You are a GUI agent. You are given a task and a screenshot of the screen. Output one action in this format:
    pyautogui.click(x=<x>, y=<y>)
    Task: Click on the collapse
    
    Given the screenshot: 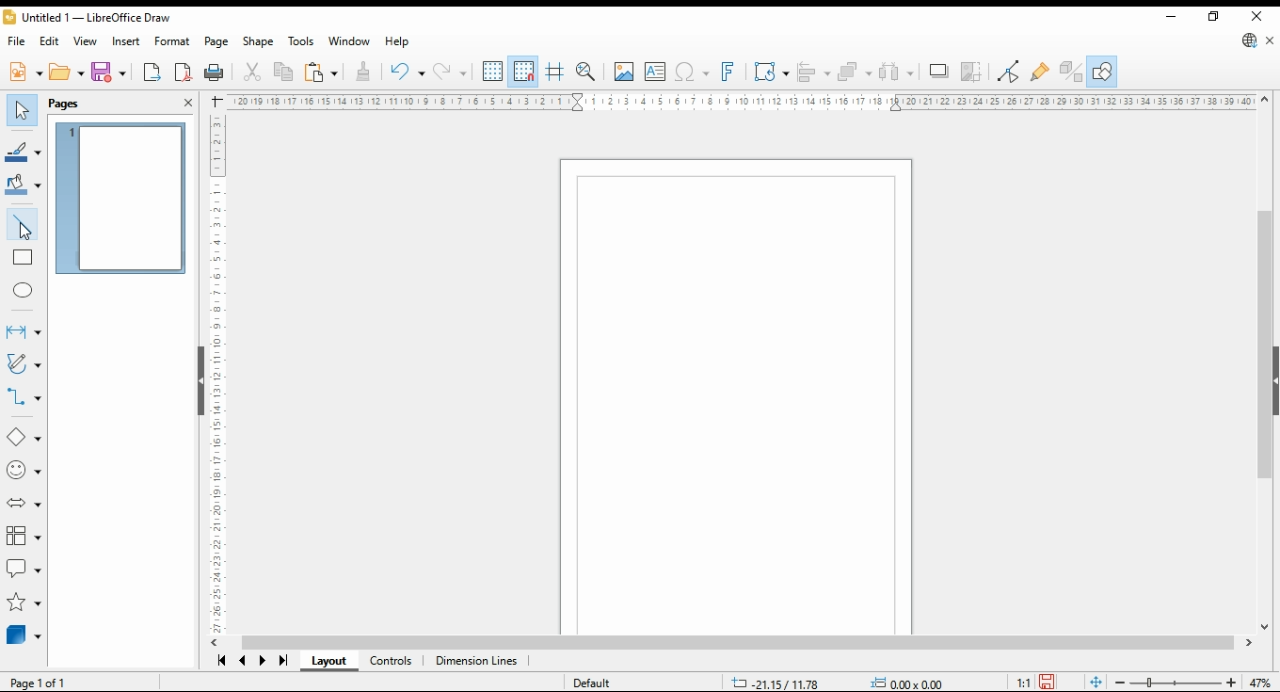 What is the action you would take?
    pyautogui.click(x=1274, y=379)
    